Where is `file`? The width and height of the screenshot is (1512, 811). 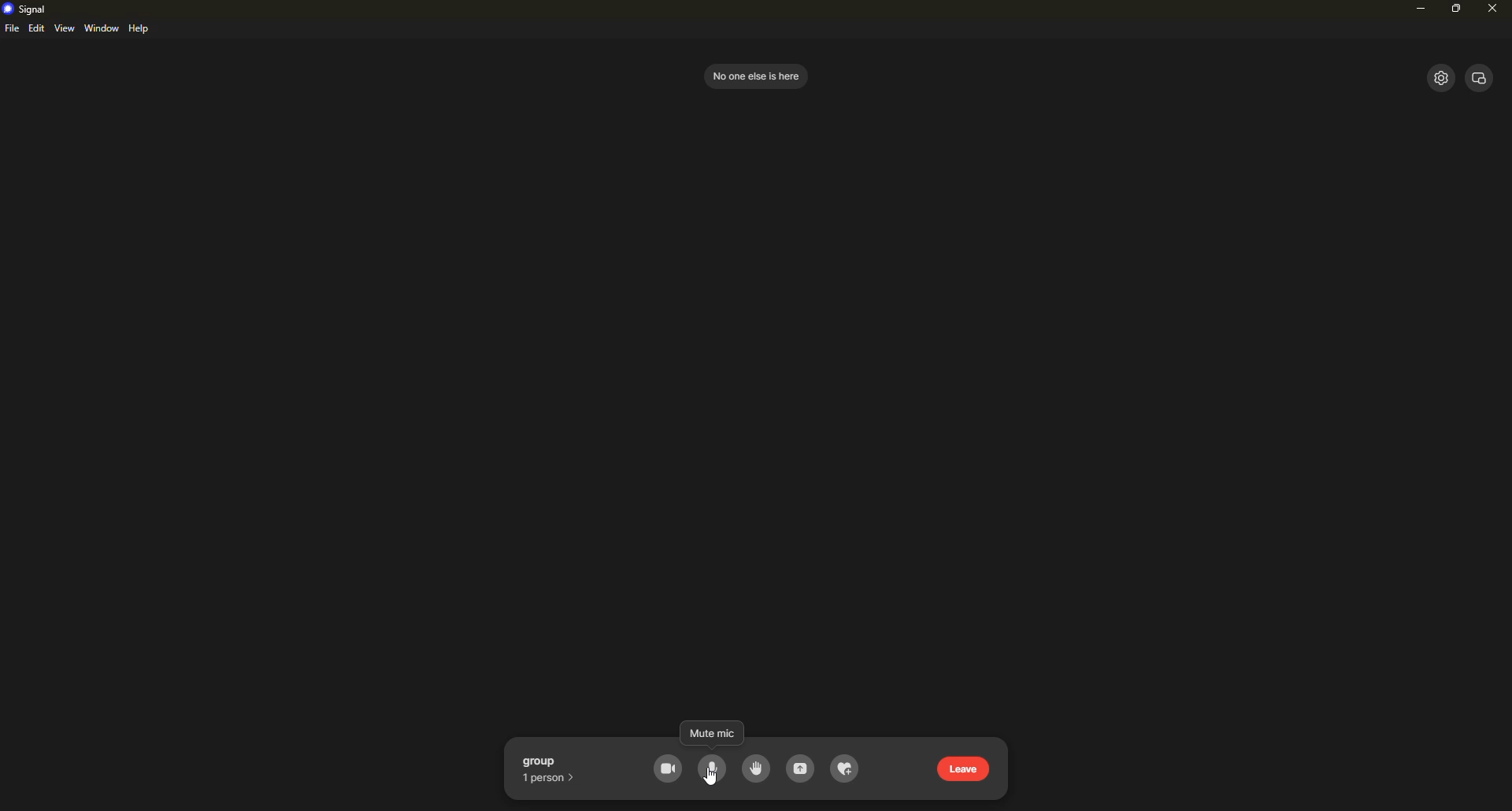
file is located at coordinates (12, 30).